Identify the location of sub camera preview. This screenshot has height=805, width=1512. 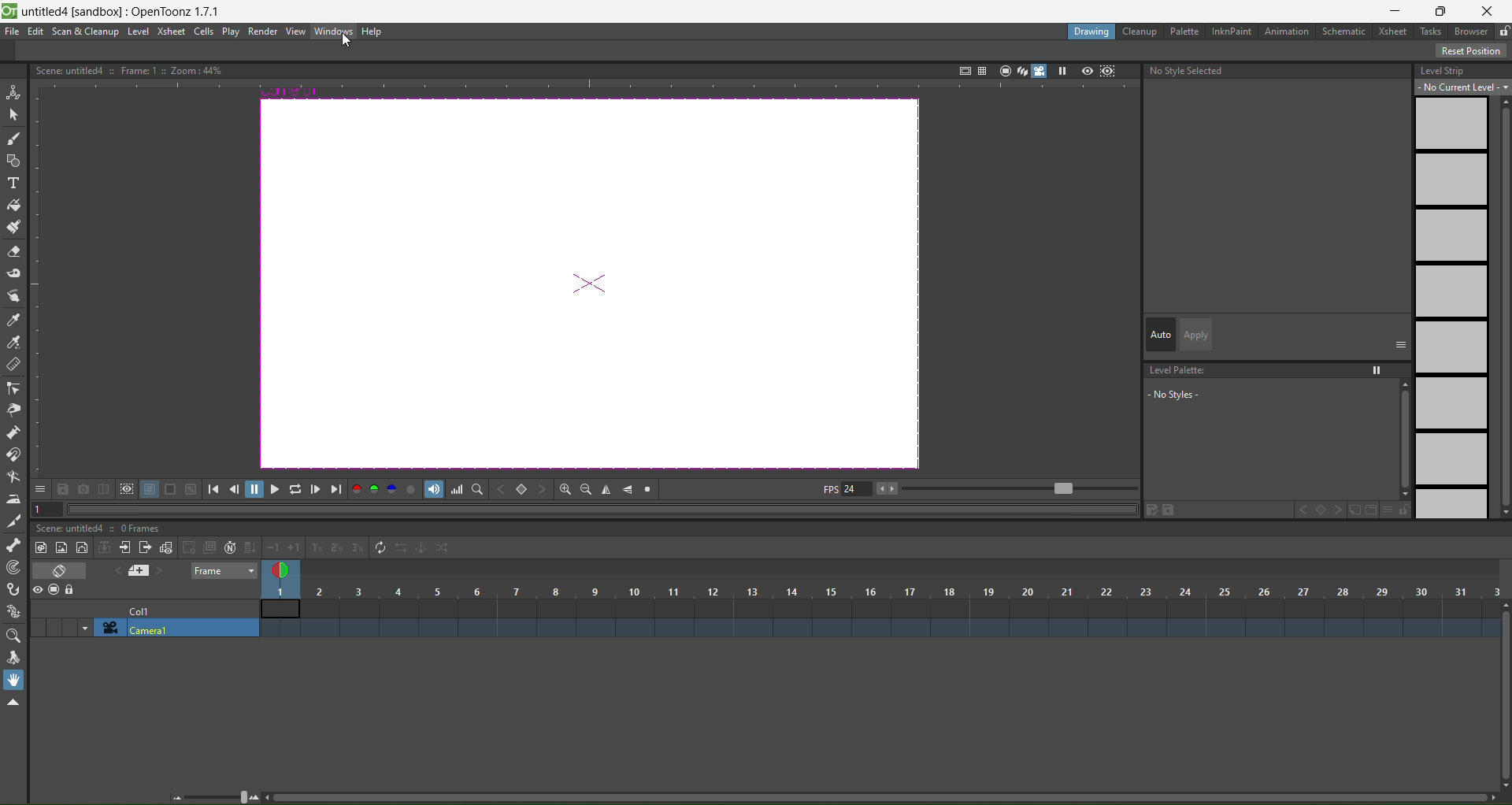
(1108, 71).